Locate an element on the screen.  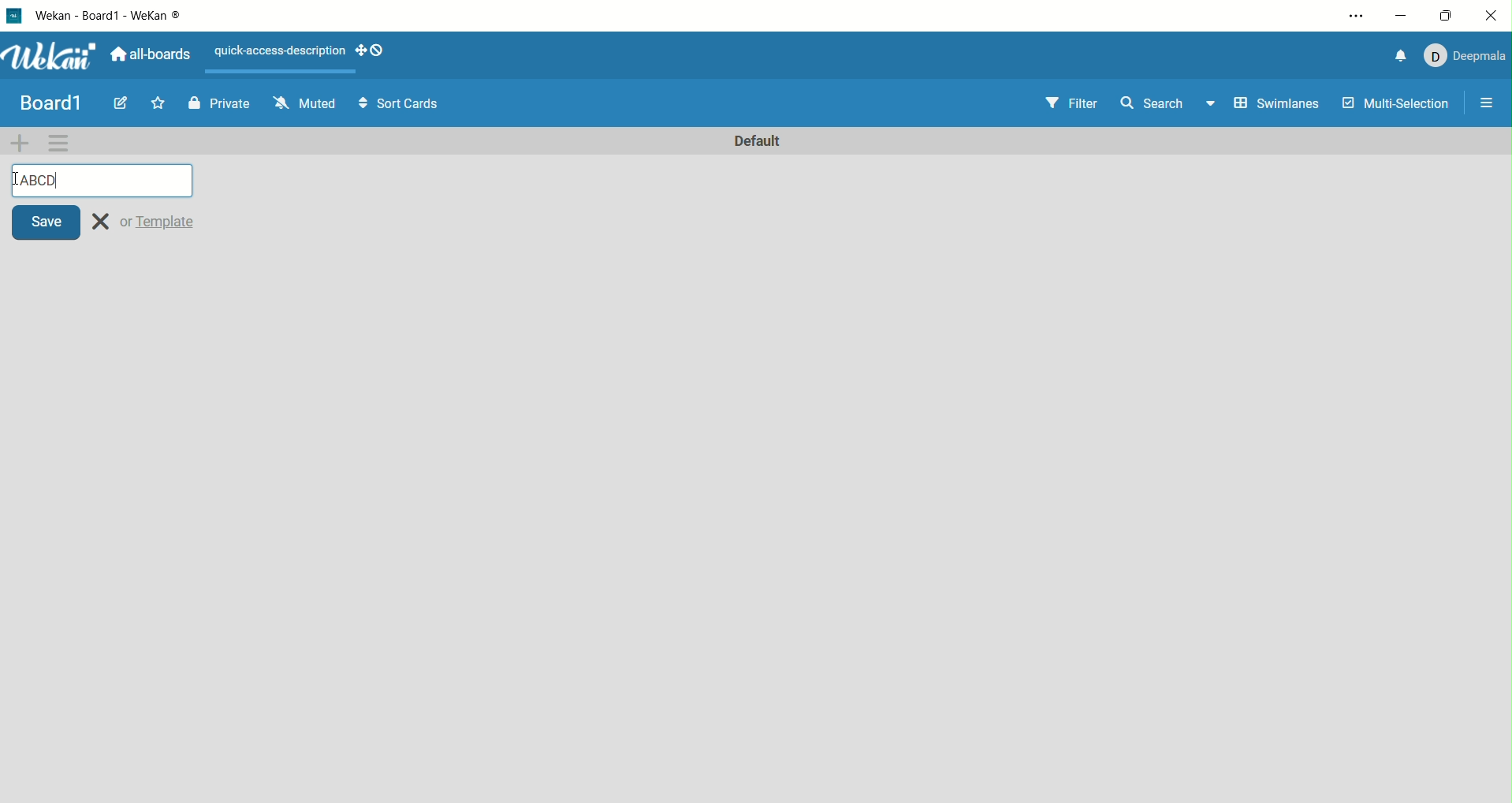
close is located at coordinates (101, 222).